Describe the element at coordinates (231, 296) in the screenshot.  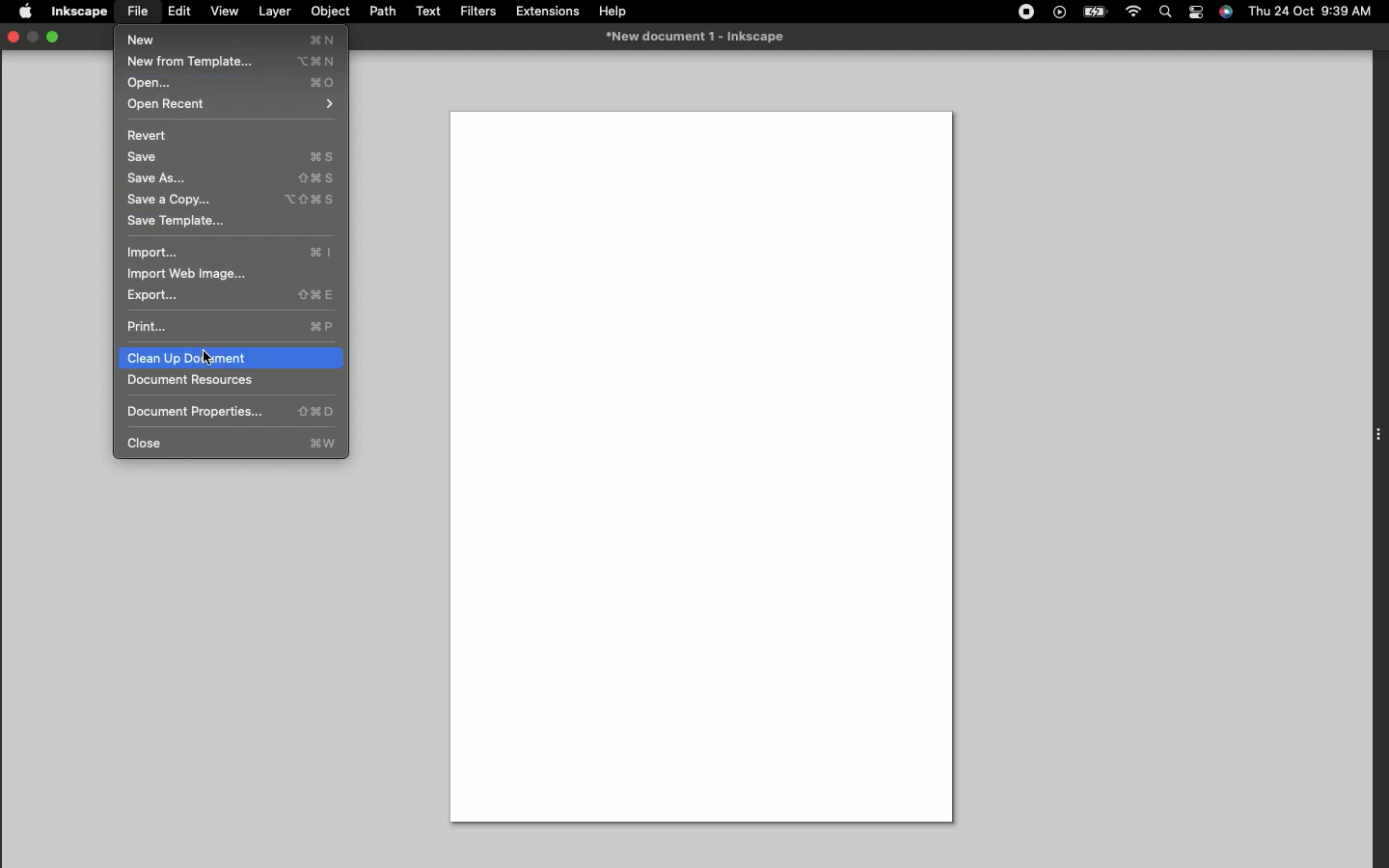
I see `Export` at that location.